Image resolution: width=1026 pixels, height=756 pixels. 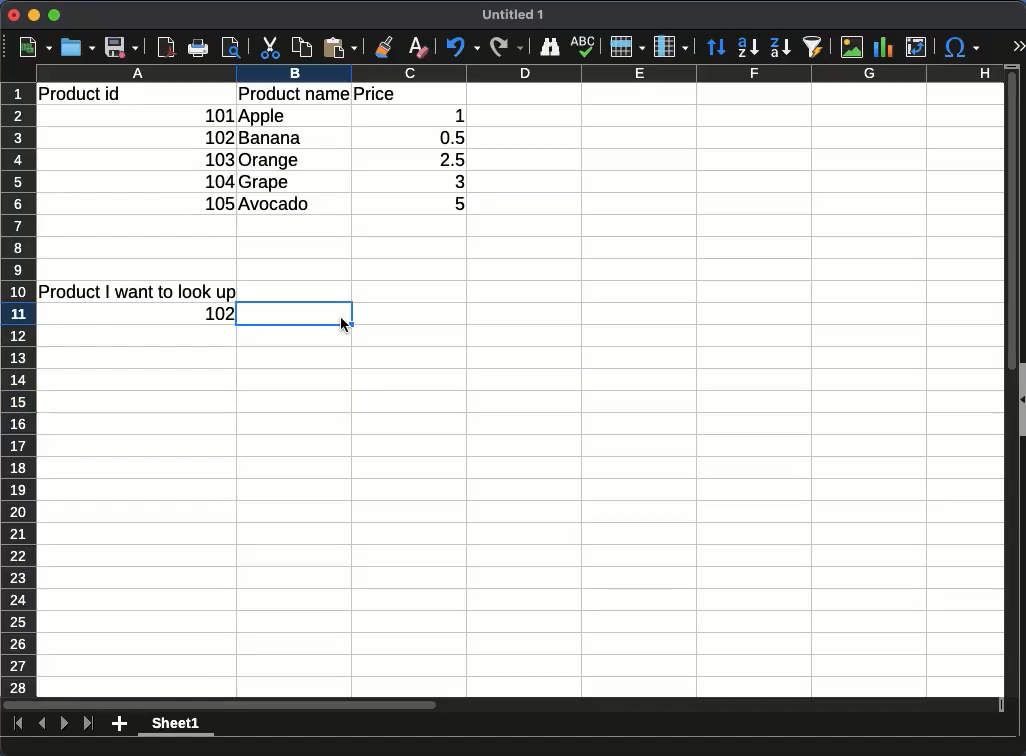 What do you see at coordinates (748, 47) in the screenshot?
I see `ascending ` at bounding box center [748, 47].